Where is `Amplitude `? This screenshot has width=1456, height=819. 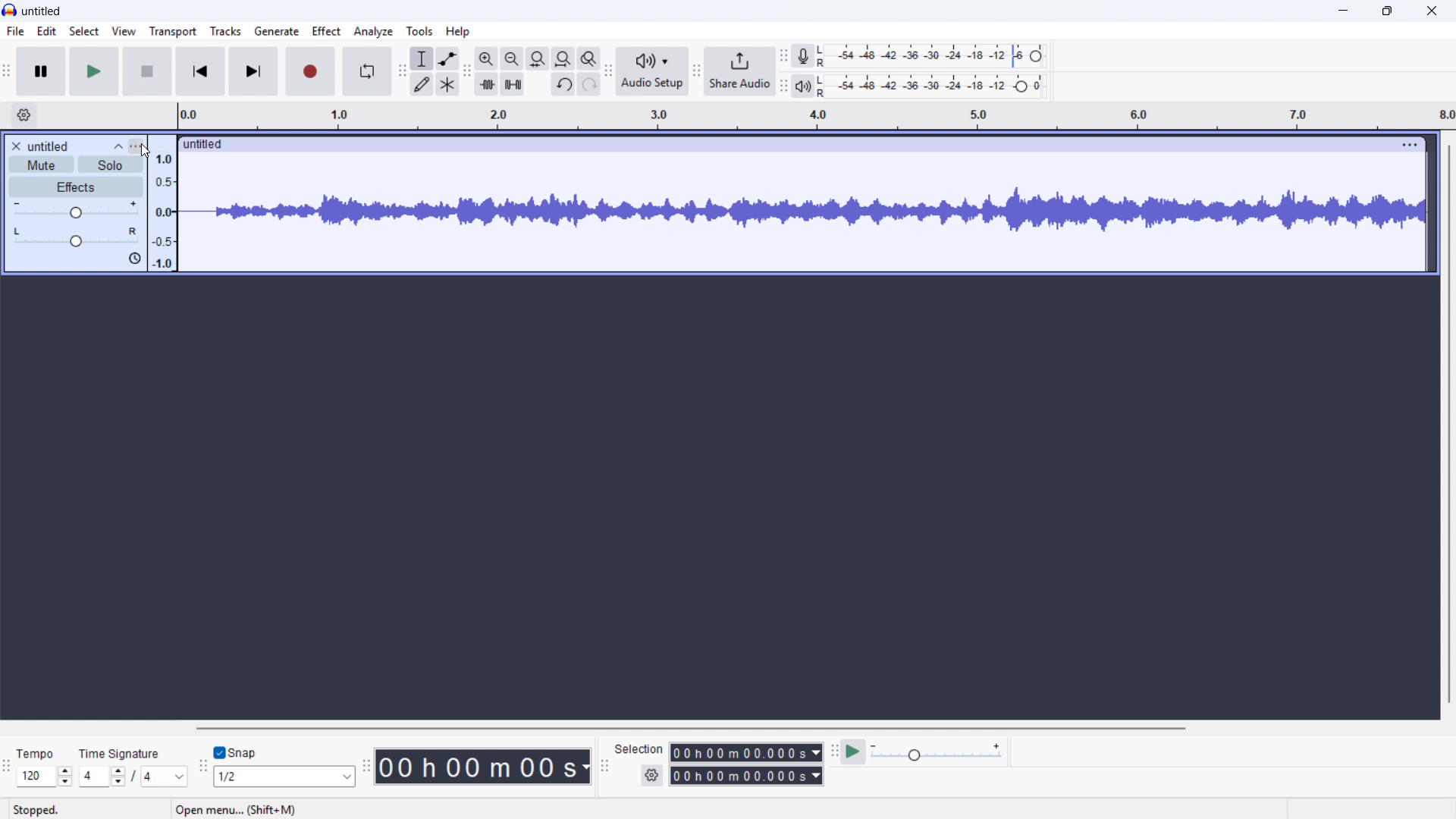
Amplitude  is located at coordinates (161, 202).